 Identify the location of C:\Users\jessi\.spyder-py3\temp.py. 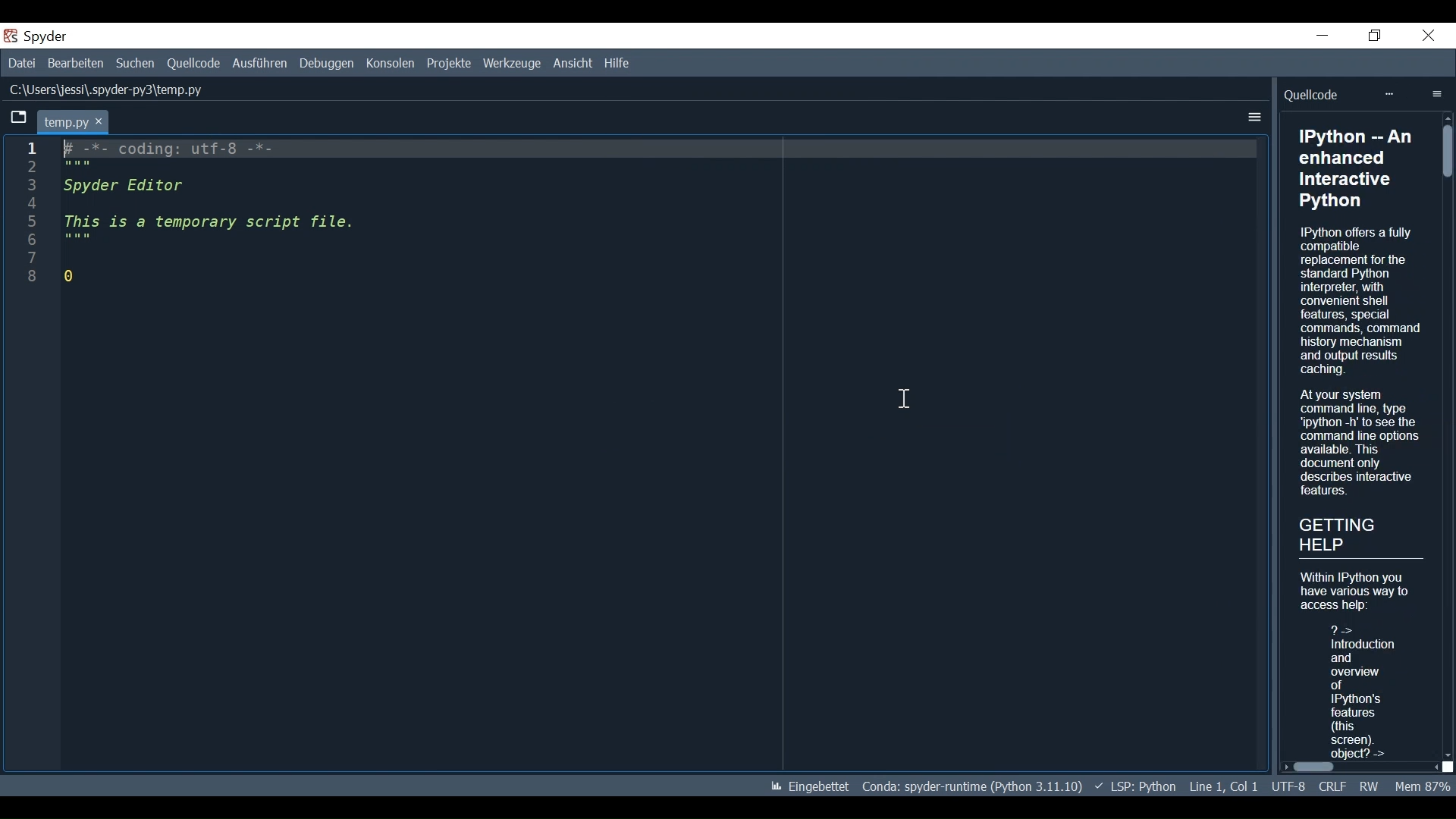
(107, 89).